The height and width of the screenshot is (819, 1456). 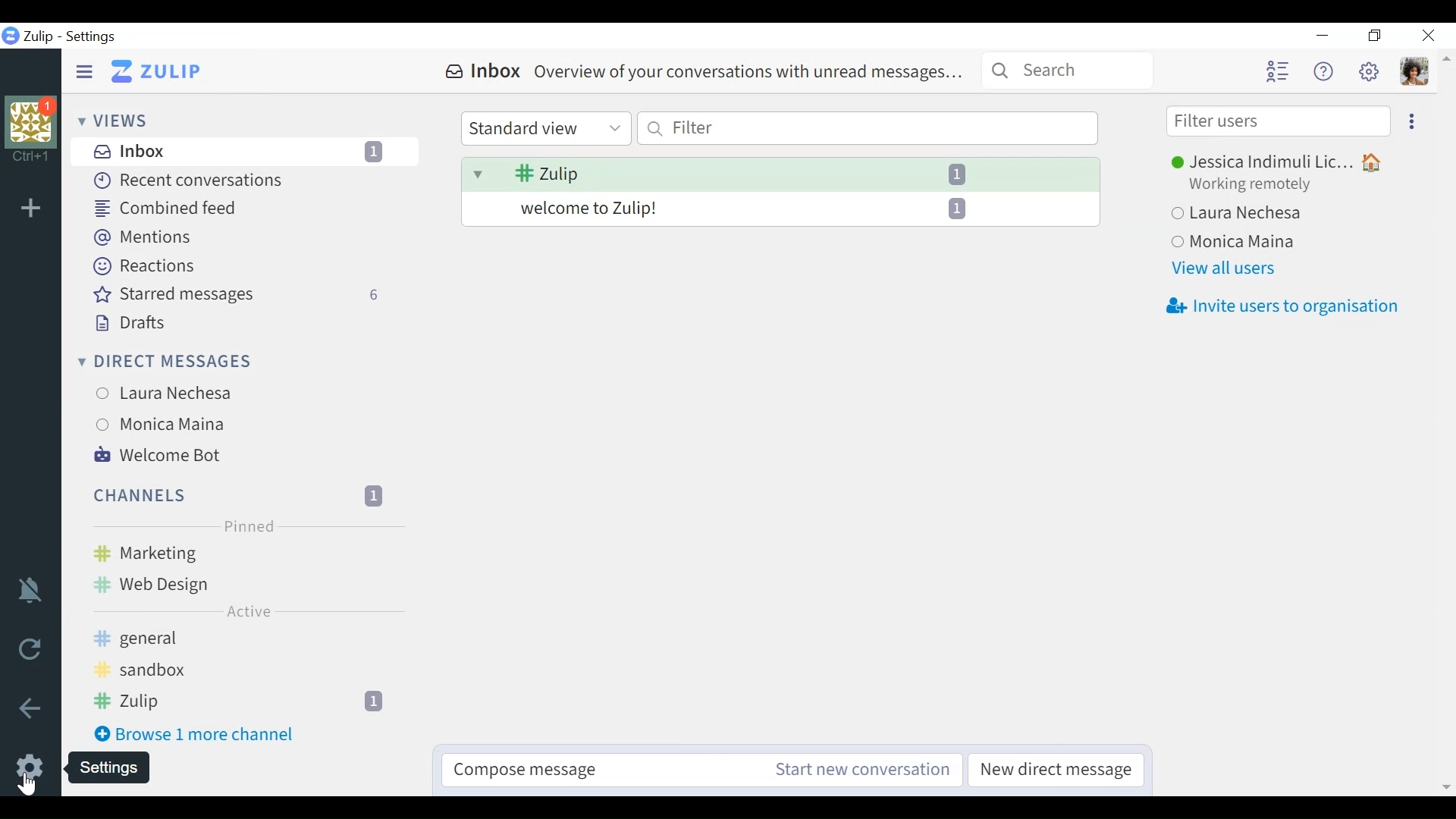 I want to click on Active, so click(x=249, y=611).